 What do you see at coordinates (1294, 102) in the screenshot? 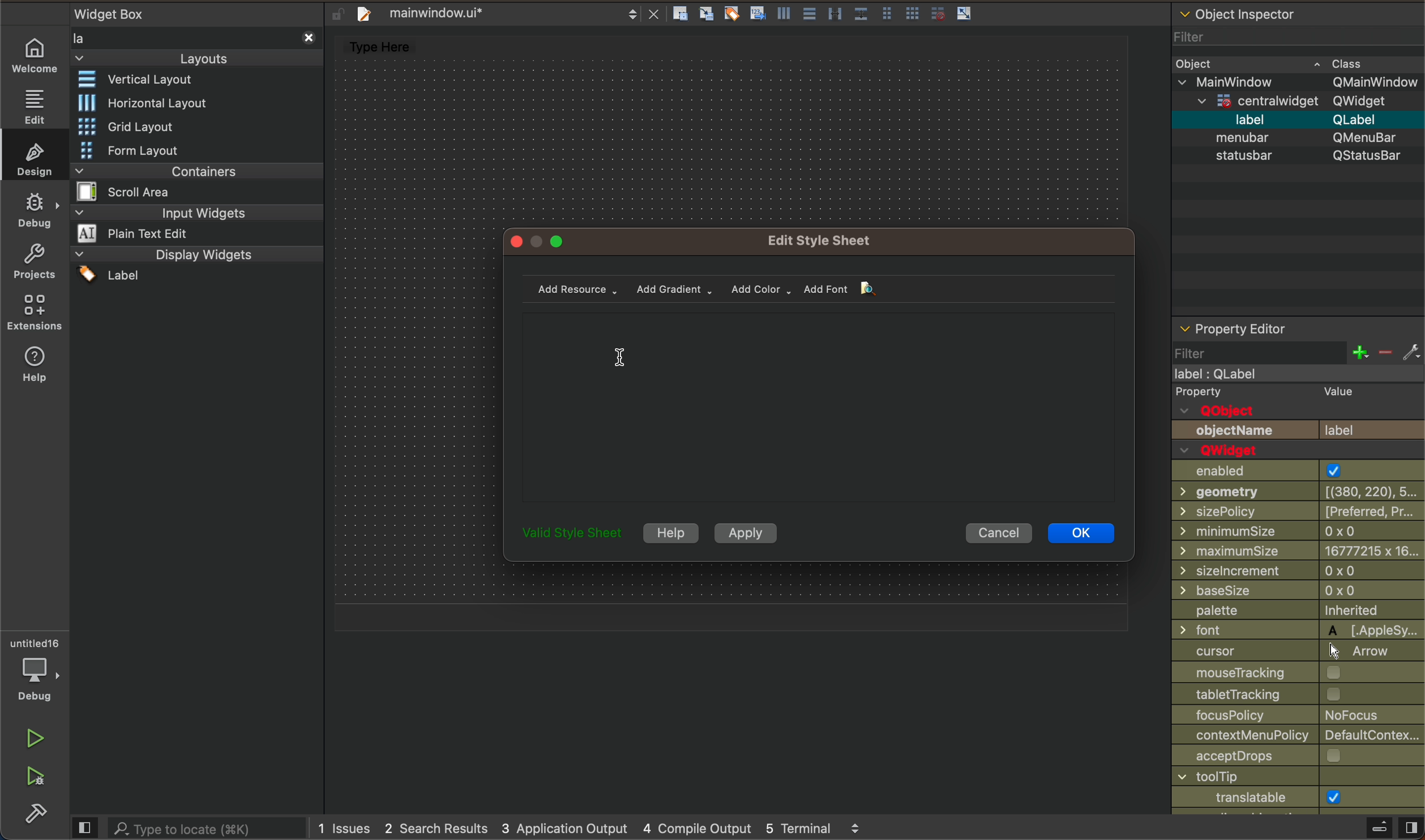
I see `qwidget` at bounding box center [1294, 102].